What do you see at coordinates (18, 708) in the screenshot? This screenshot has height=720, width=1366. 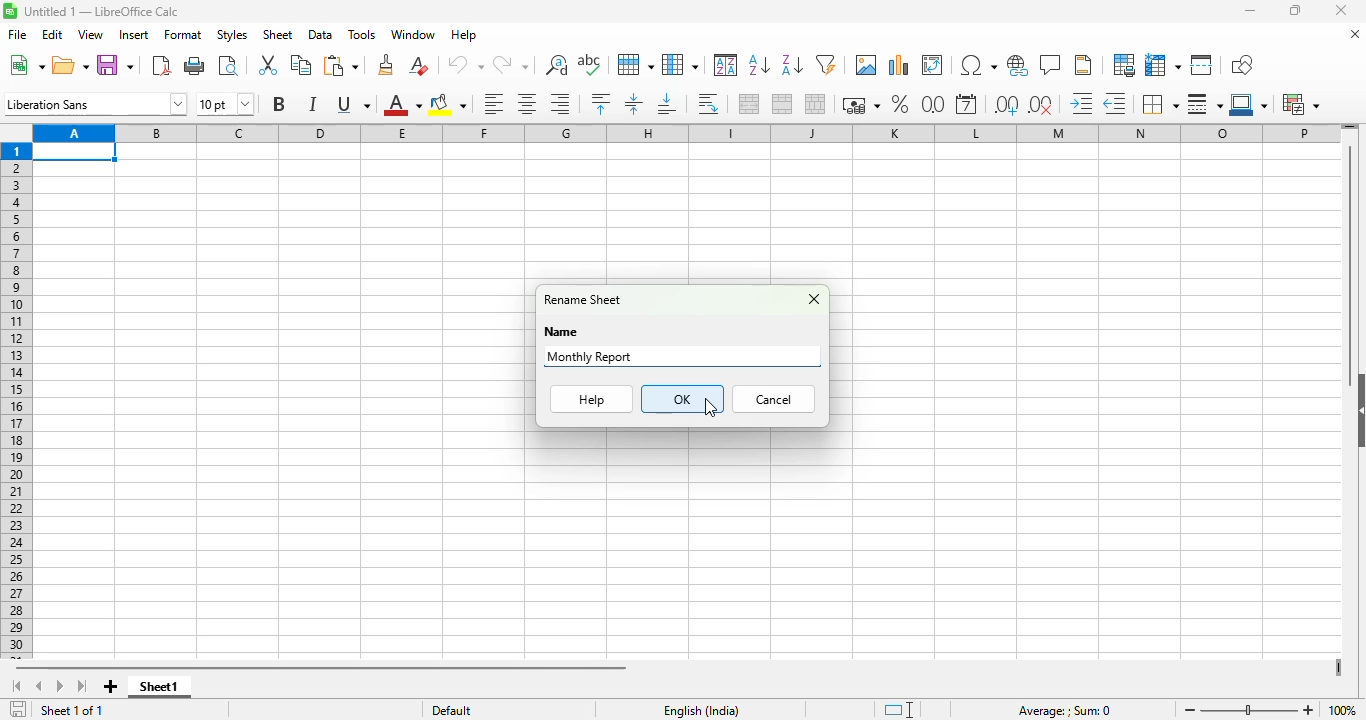 I see `click to save the document` at bounding box center [18, 708].